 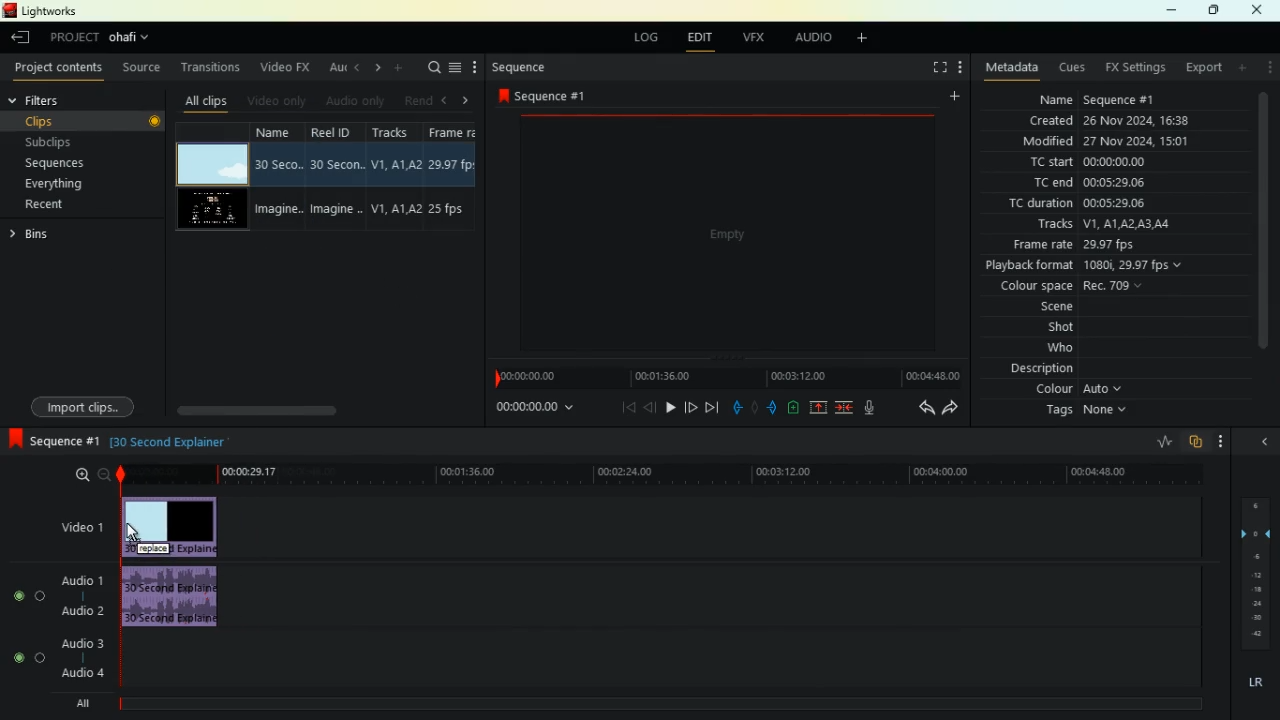 I want to click on video, so click(x=73, y=524).